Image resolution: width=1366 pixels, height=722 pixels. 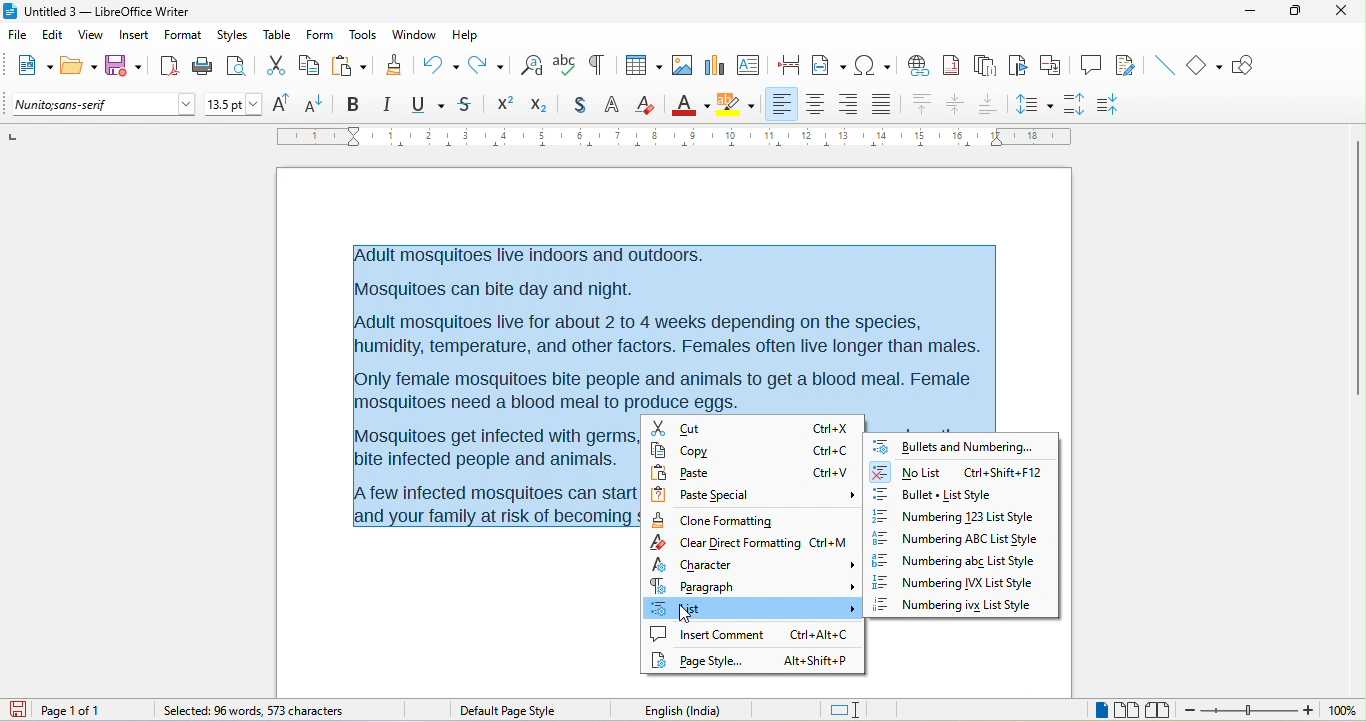 What do you see at coordinates (714, 520) in the screenshot?
I see `clone formatting` at bounding box center [714, 520].